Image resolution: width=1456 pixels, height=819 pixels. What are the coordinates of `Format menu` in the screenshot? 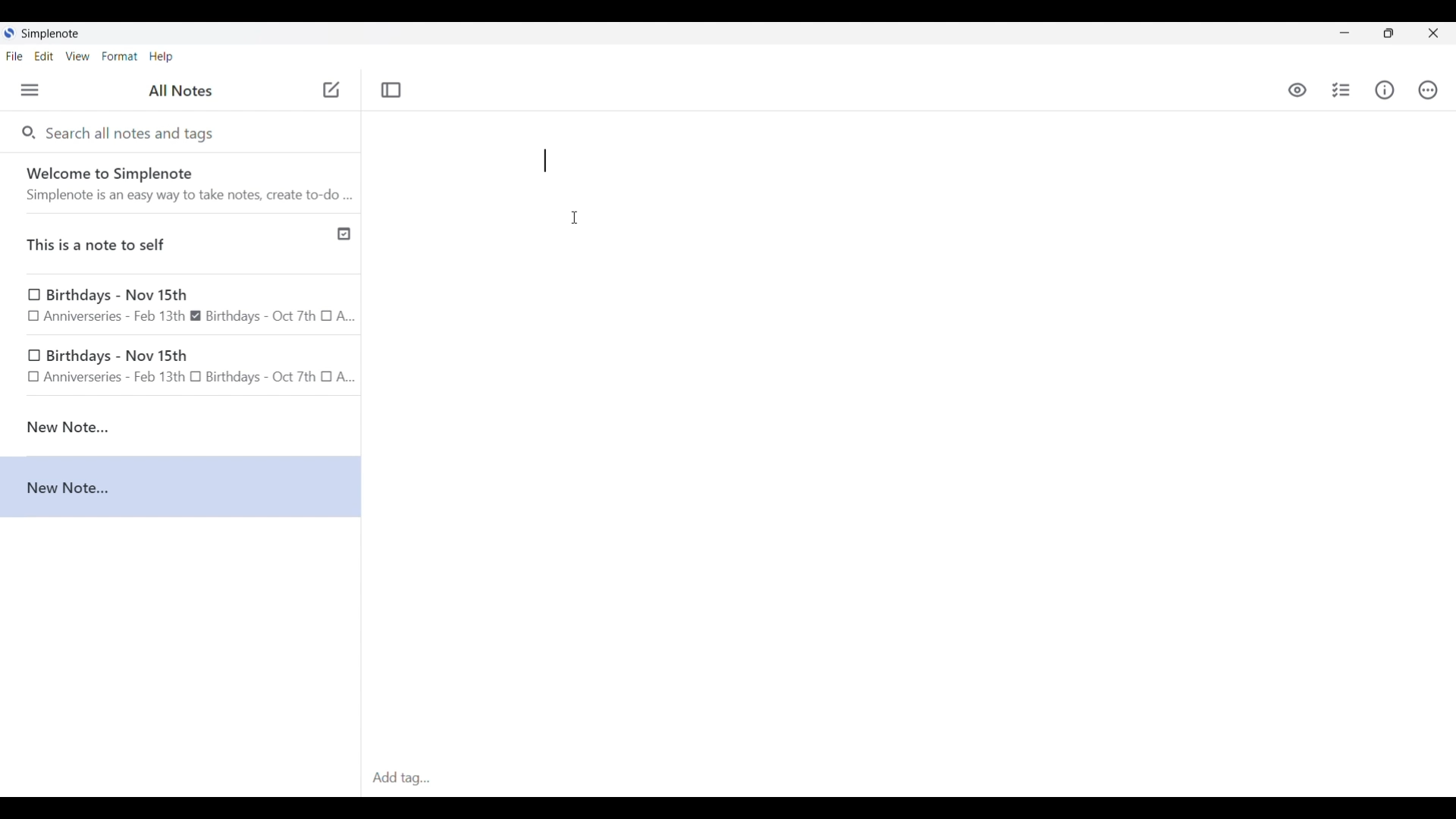 It's located at (120, 56).